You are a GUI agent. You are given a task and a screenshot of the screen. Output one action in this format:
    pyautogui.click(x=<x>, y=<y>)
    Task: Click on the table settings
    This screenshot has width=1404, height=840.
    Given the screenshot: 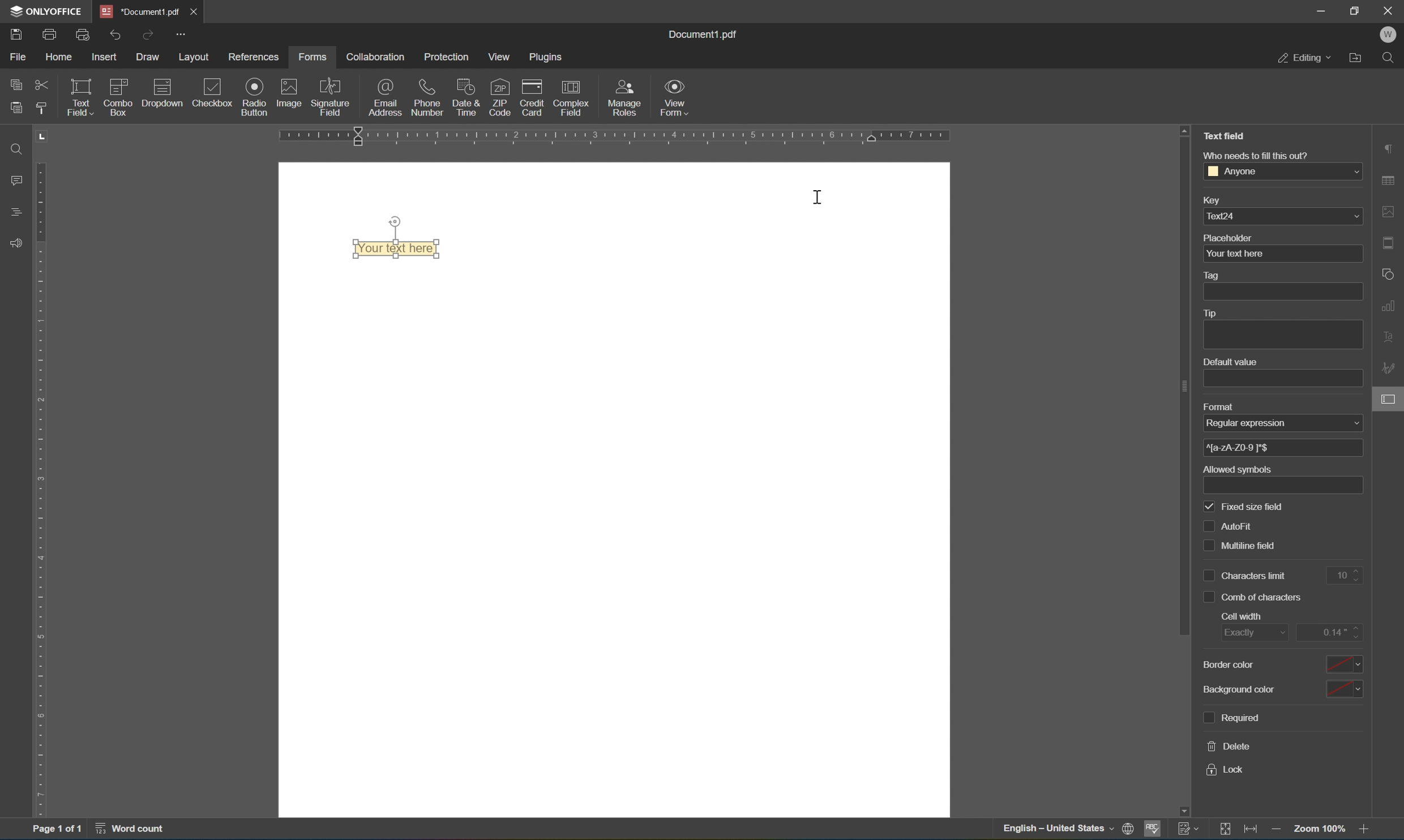 What is the action you would take?
    pyautogui.click(x=1390, y=182)
    